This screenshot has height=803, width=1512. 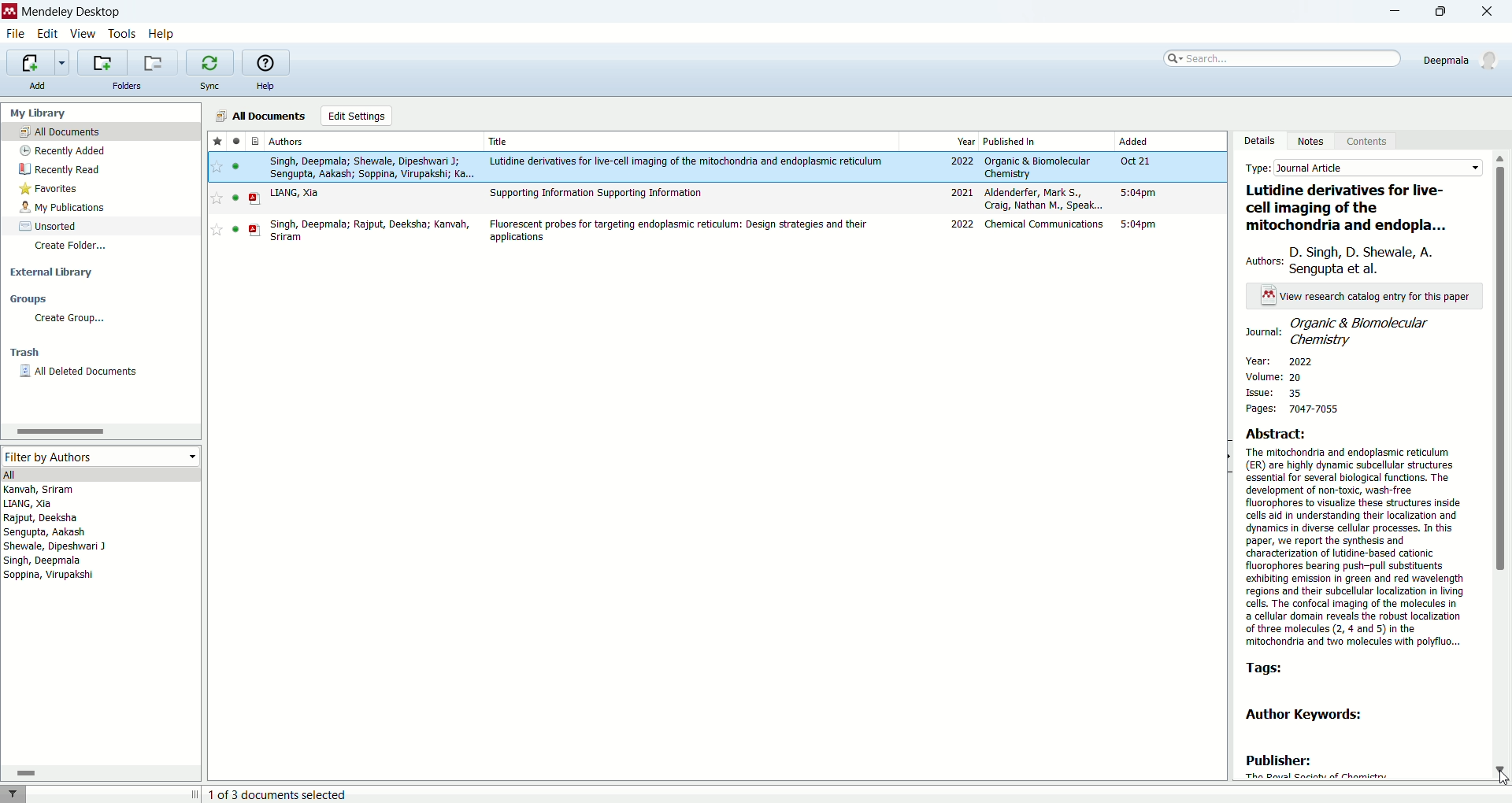 What do you see at coordinates (40, 490) in the screenshot?
I see `kanvah, sriram` at bounding box center [40, 490].